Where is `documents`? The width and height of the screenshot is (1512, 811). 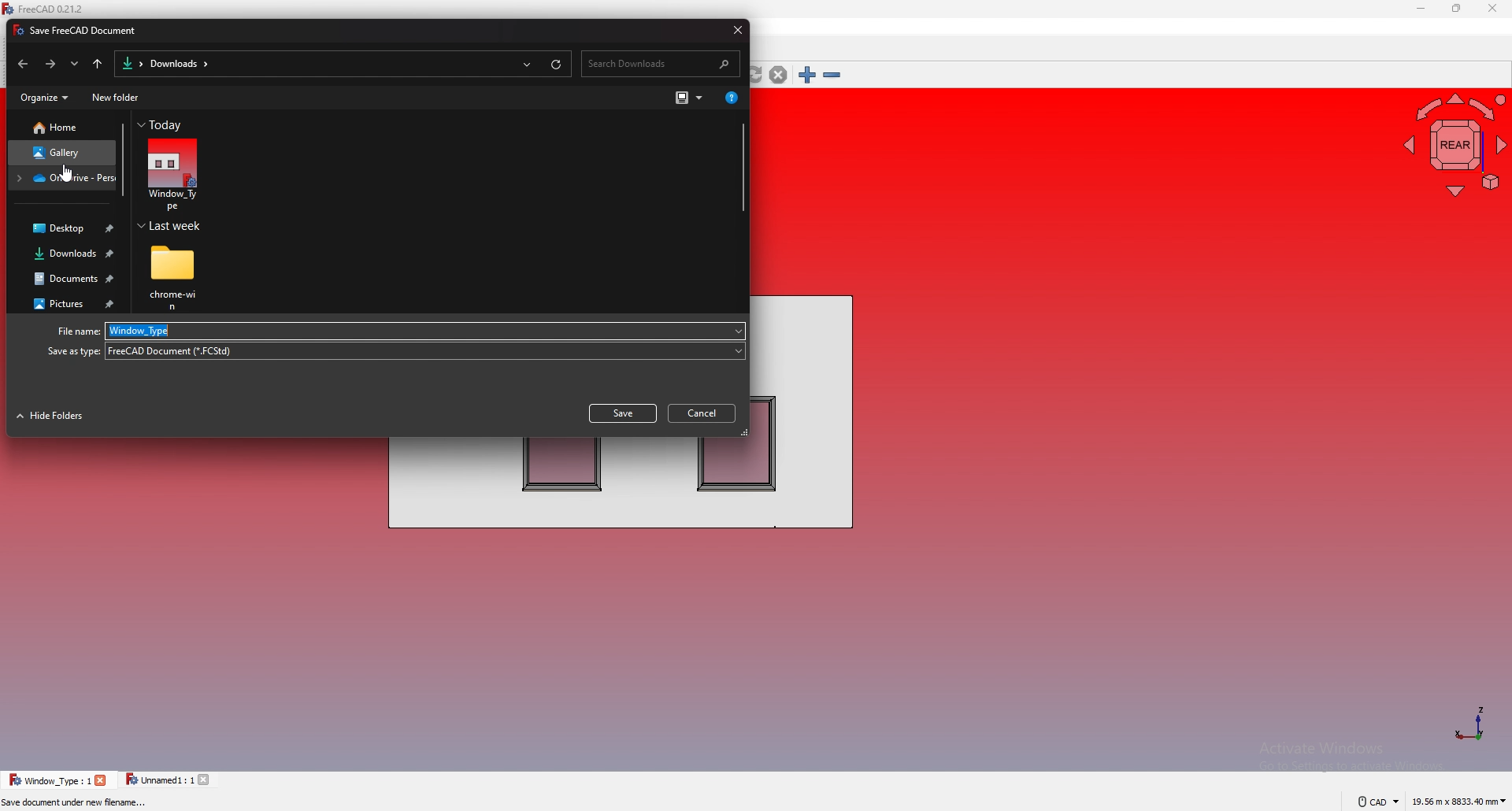 documents is located at coordinates (68, 279).